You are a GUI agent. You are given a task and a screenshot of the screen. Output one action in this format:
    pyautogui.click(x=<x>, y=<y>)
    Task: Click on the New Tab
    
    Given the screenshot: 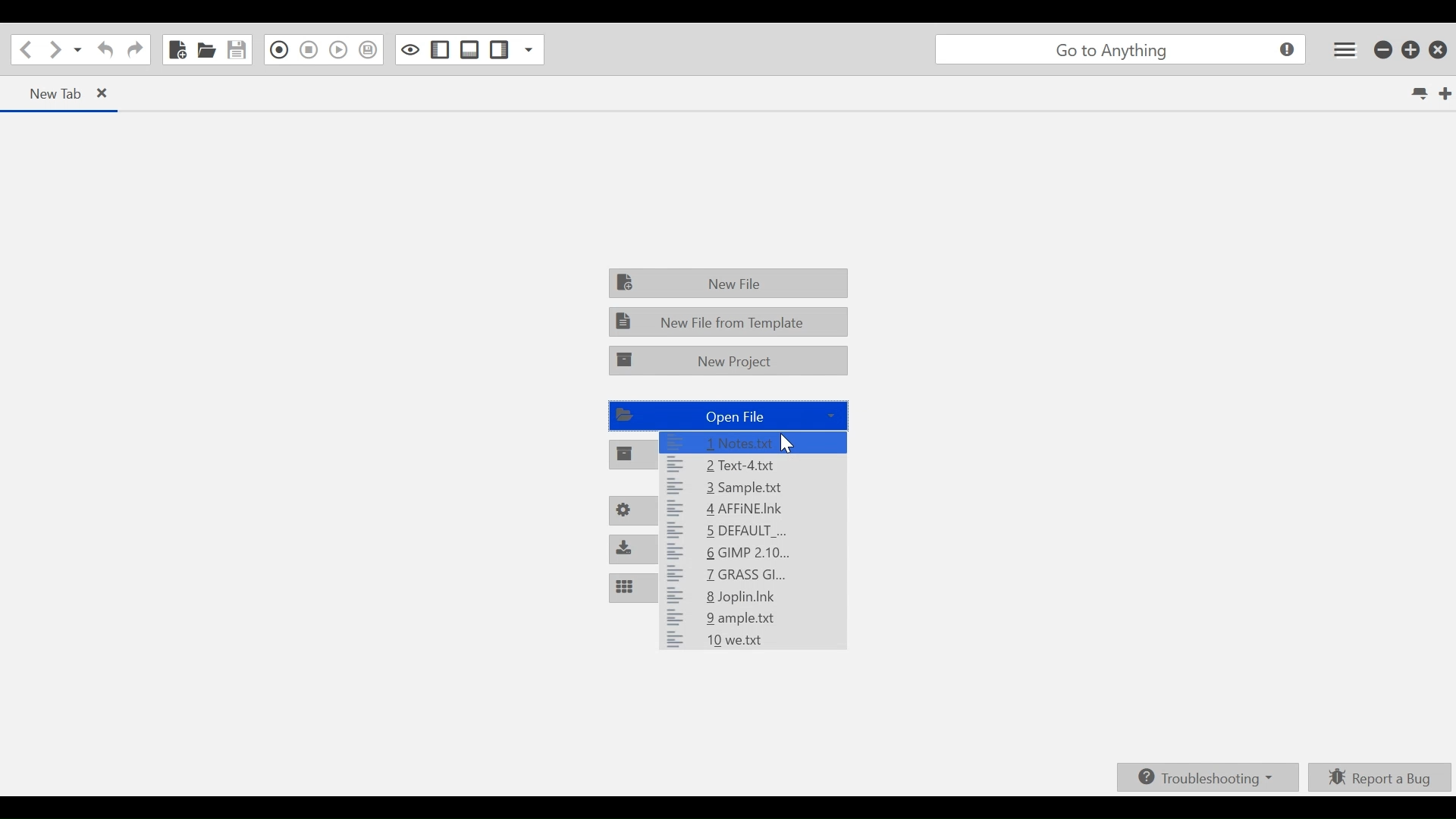 What is the action you would take?
    pyautogui.click(x=46, y=93)
    